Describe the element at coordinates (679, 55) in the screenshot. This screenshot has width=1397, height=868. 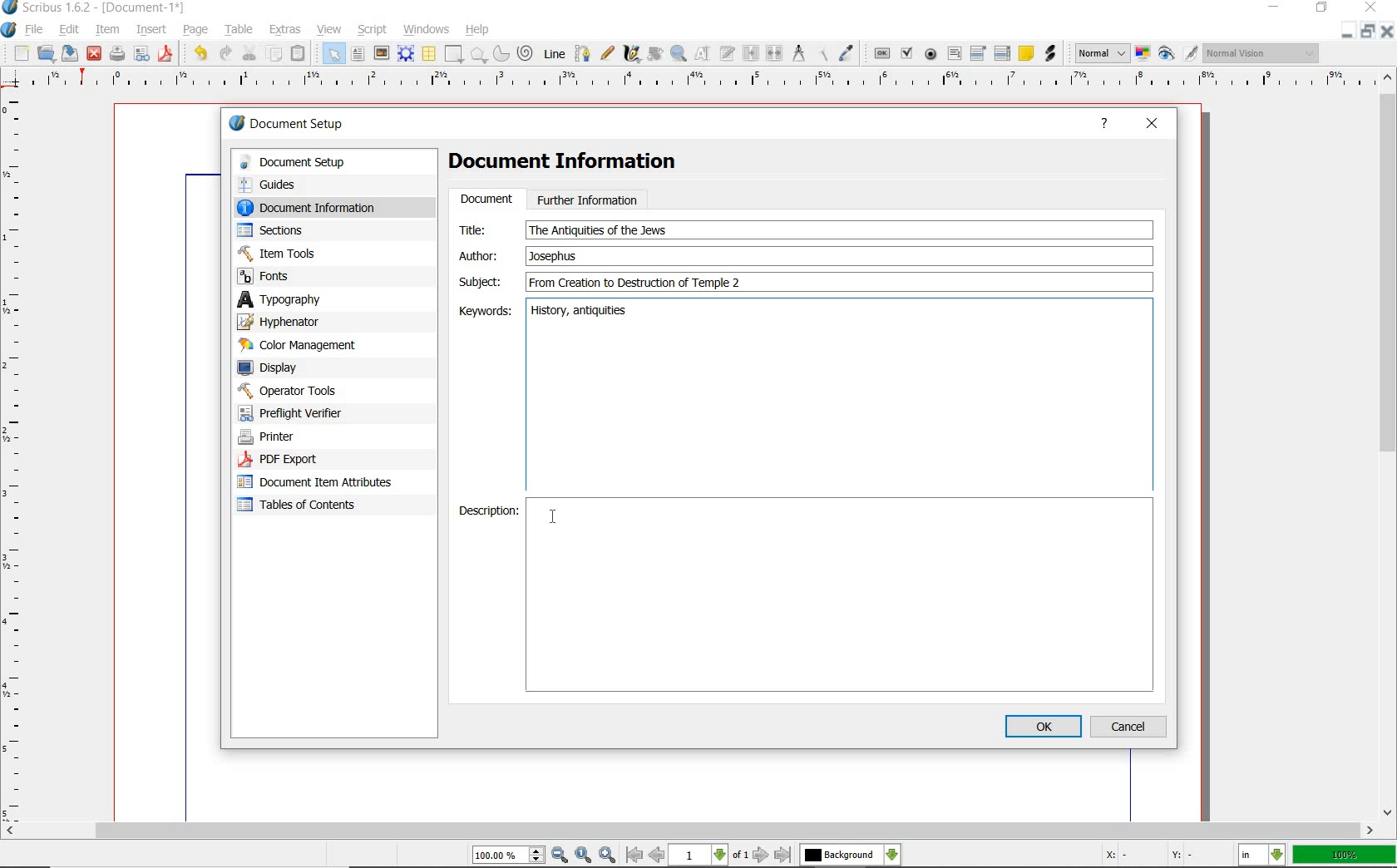
I see `zoom in or zoom out` at that location.